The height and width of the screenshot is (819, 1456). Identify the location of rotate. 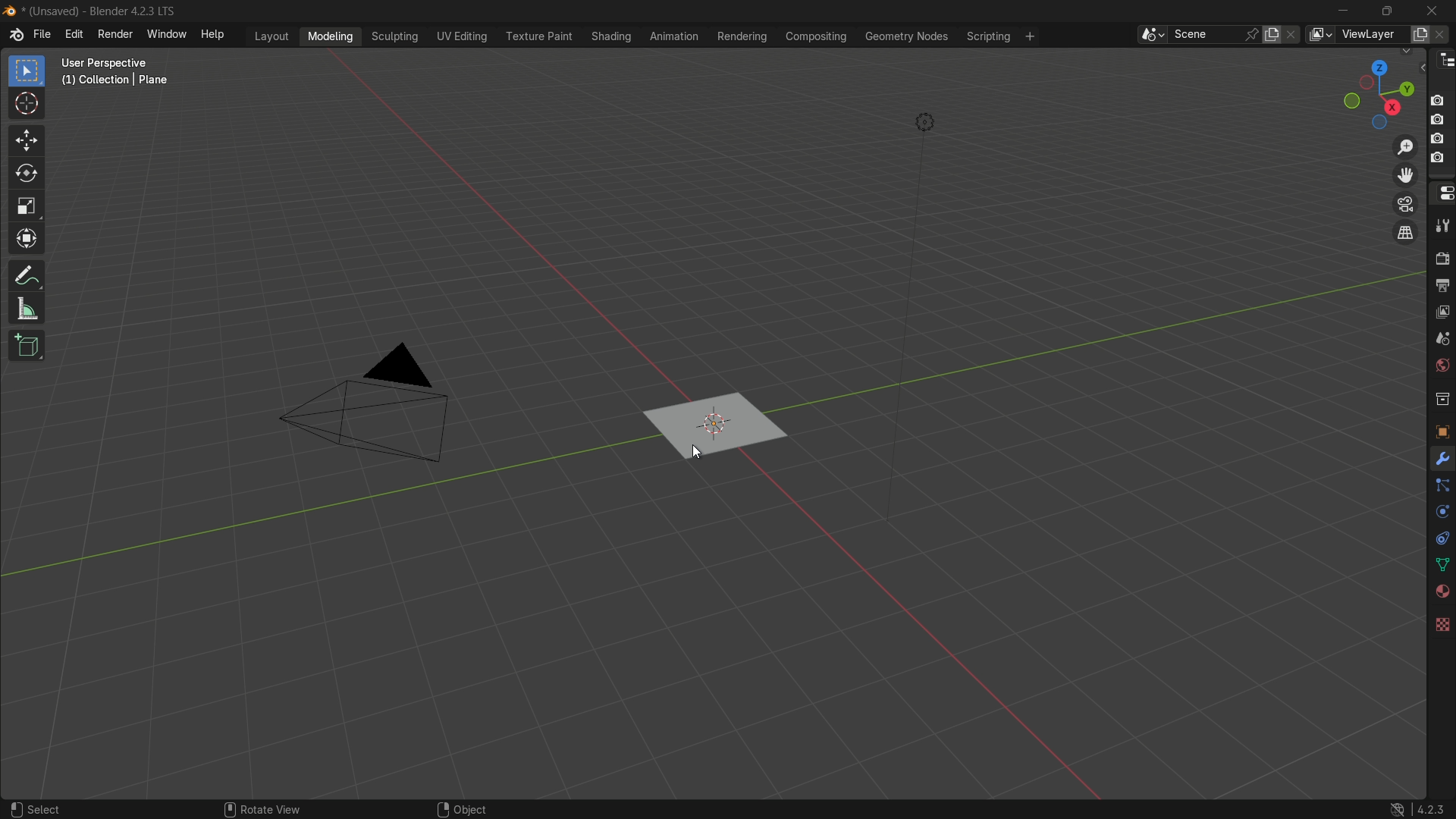
(28, 174).